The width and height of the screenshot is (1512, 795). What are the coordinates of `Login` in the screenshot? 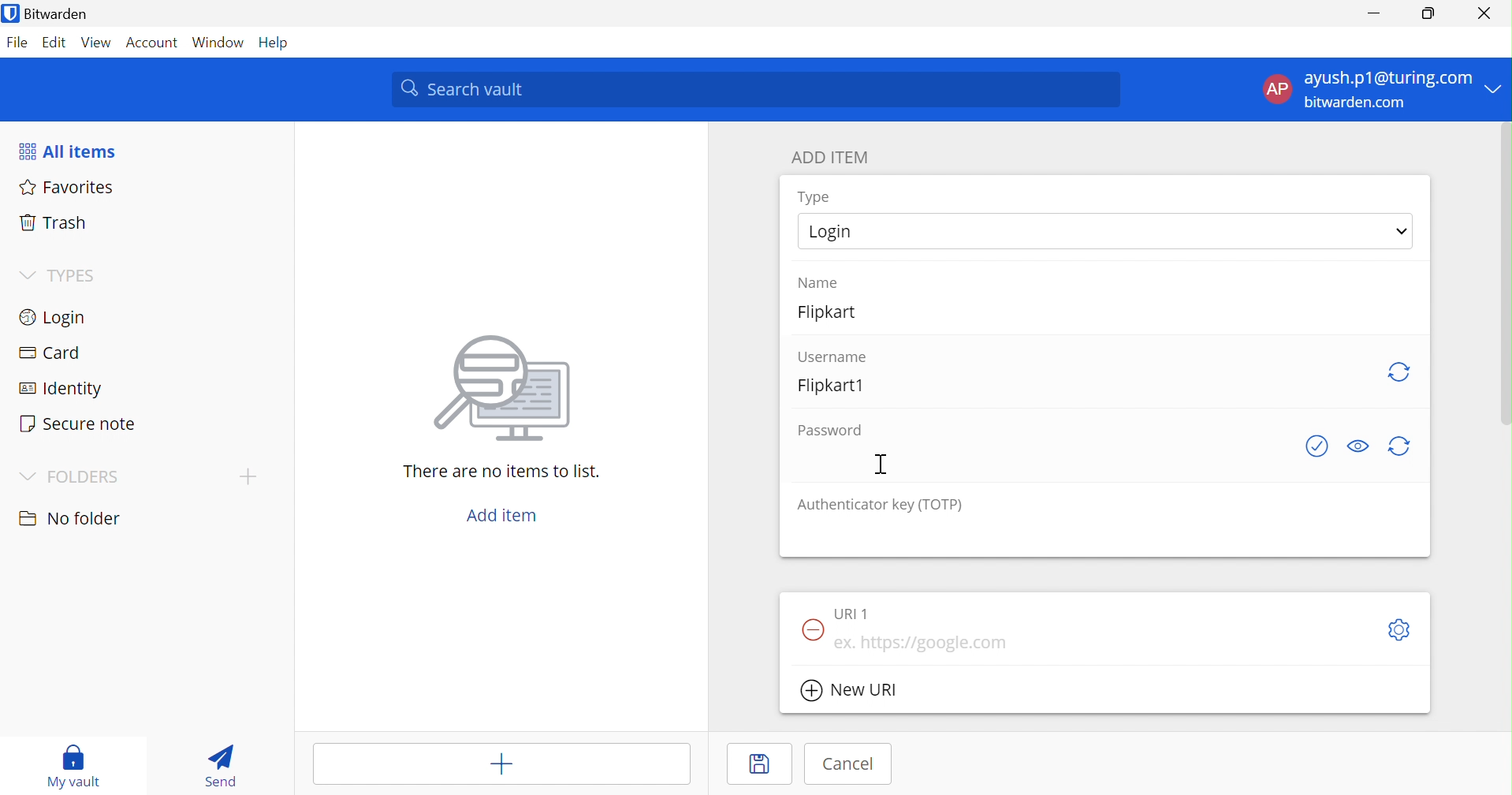 It's located at (832, 233).